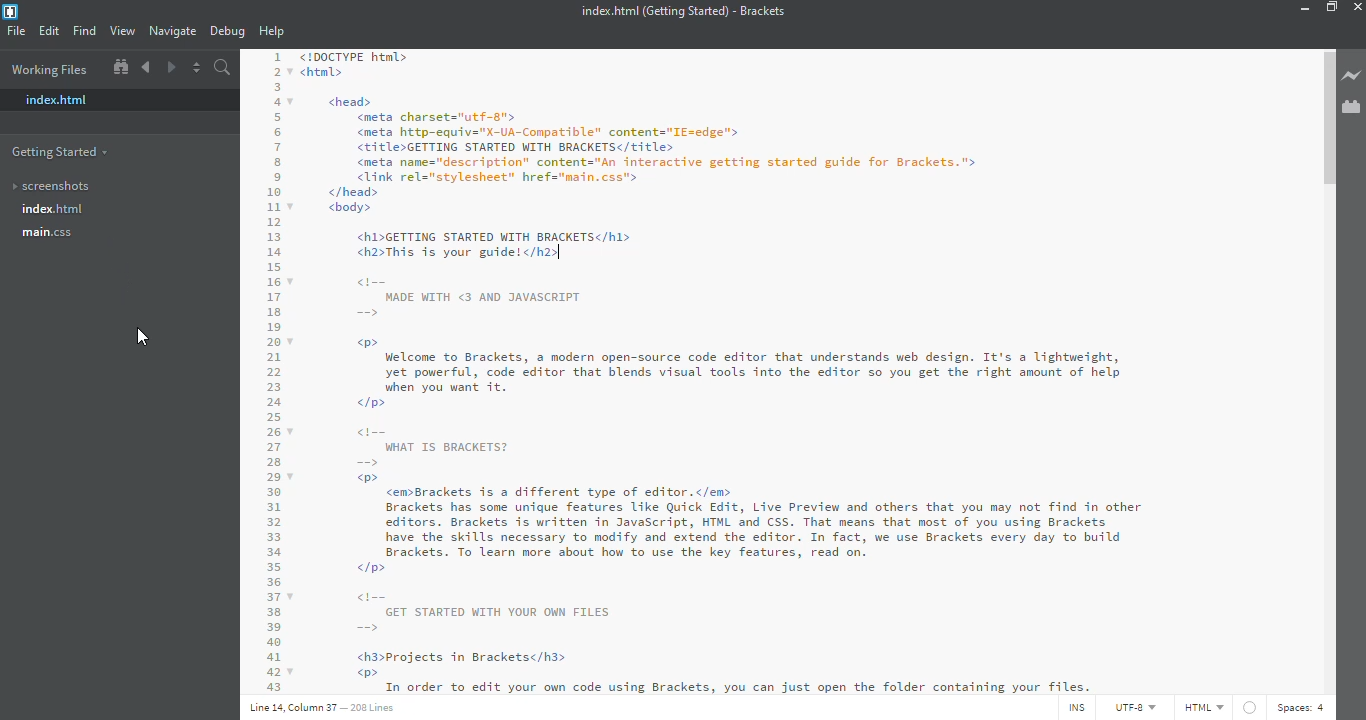 The image size is (1366, 720). What do you see at coordinates (271, 372) in the screenshot?
I see `code line` at bounding box center [271, 372].